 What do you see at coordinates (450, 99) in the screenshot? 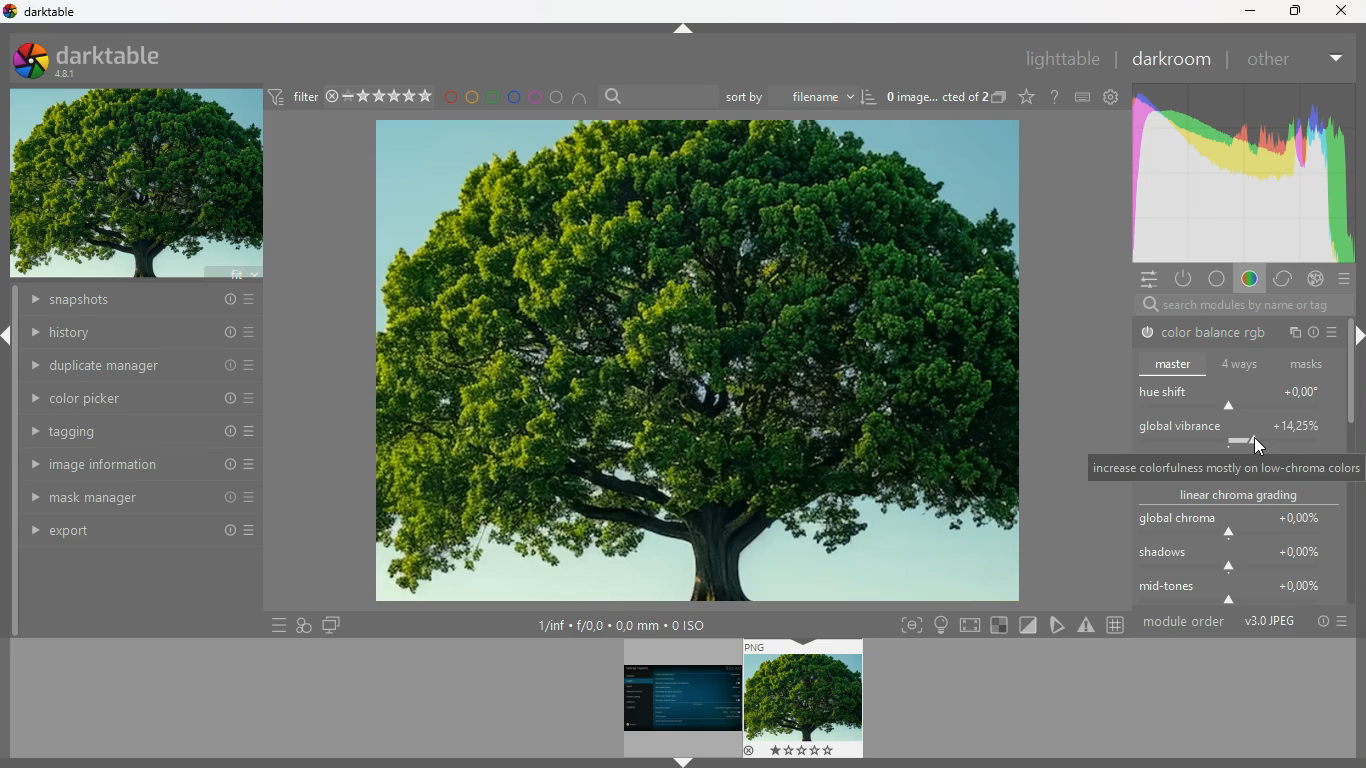
I see `red` at bounding box center [450, 99].